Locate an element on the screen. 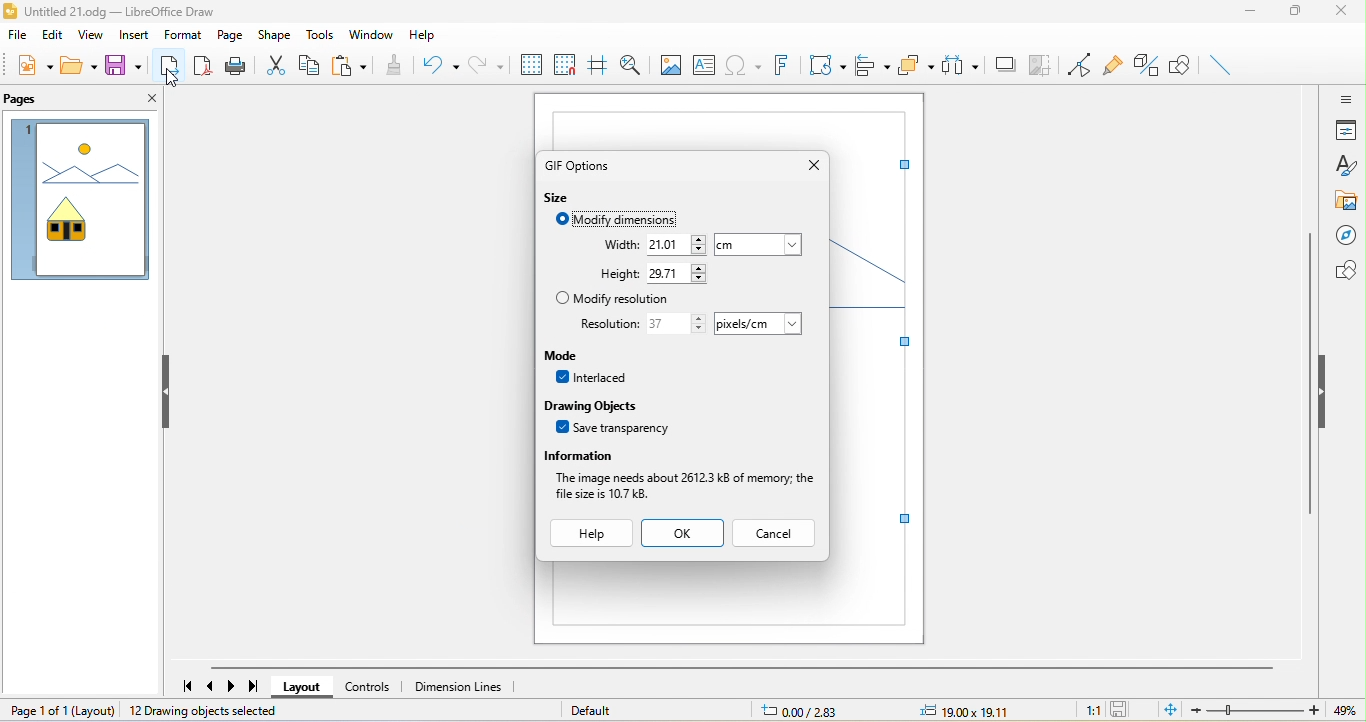 The image size is (1366, 722). insert is located at coordinates (135, 36).